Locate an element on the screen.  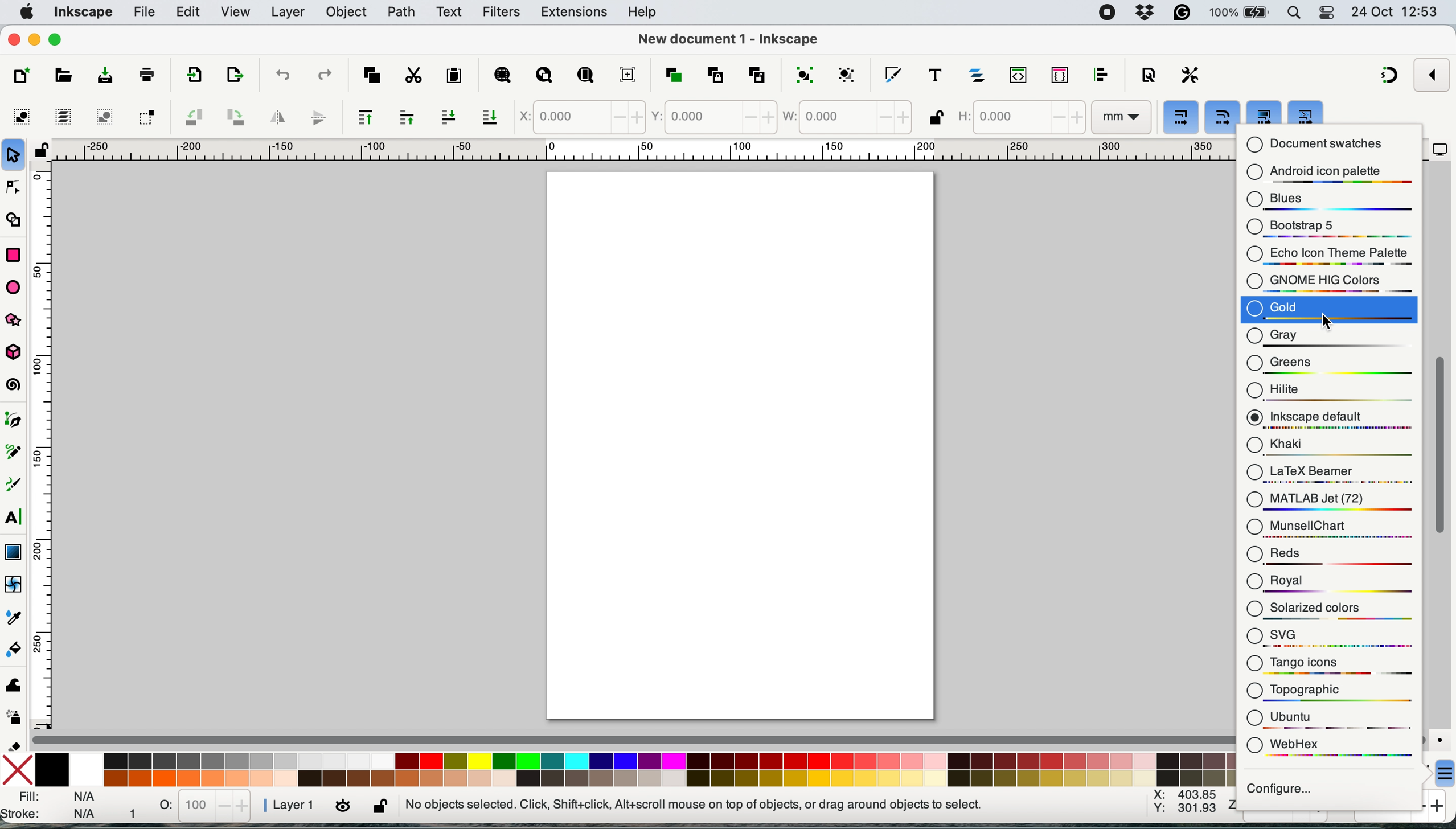
duplicate is located at coordinates (671, 74).